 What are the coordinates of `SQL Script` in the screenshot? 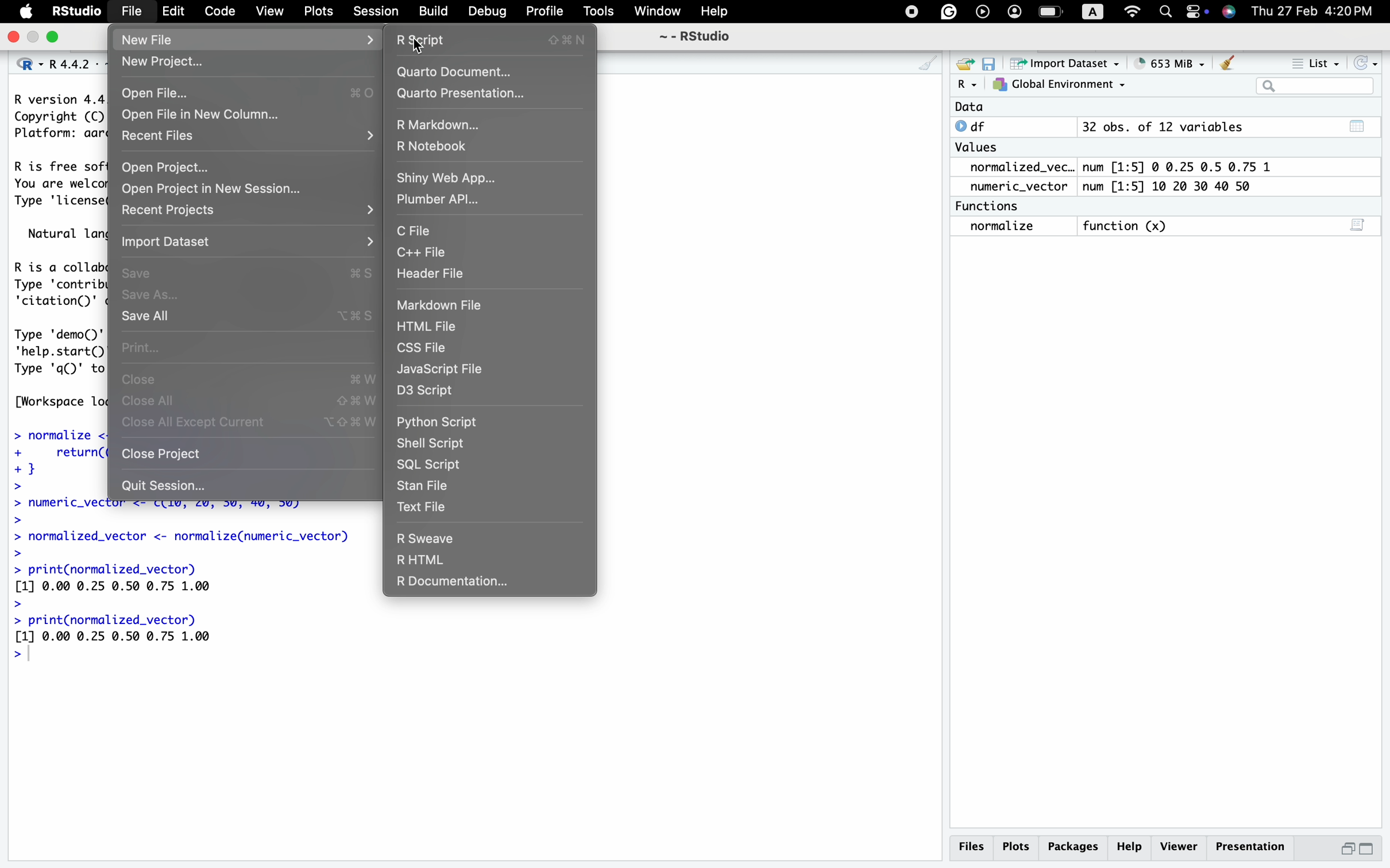 It's located at (430, 463).